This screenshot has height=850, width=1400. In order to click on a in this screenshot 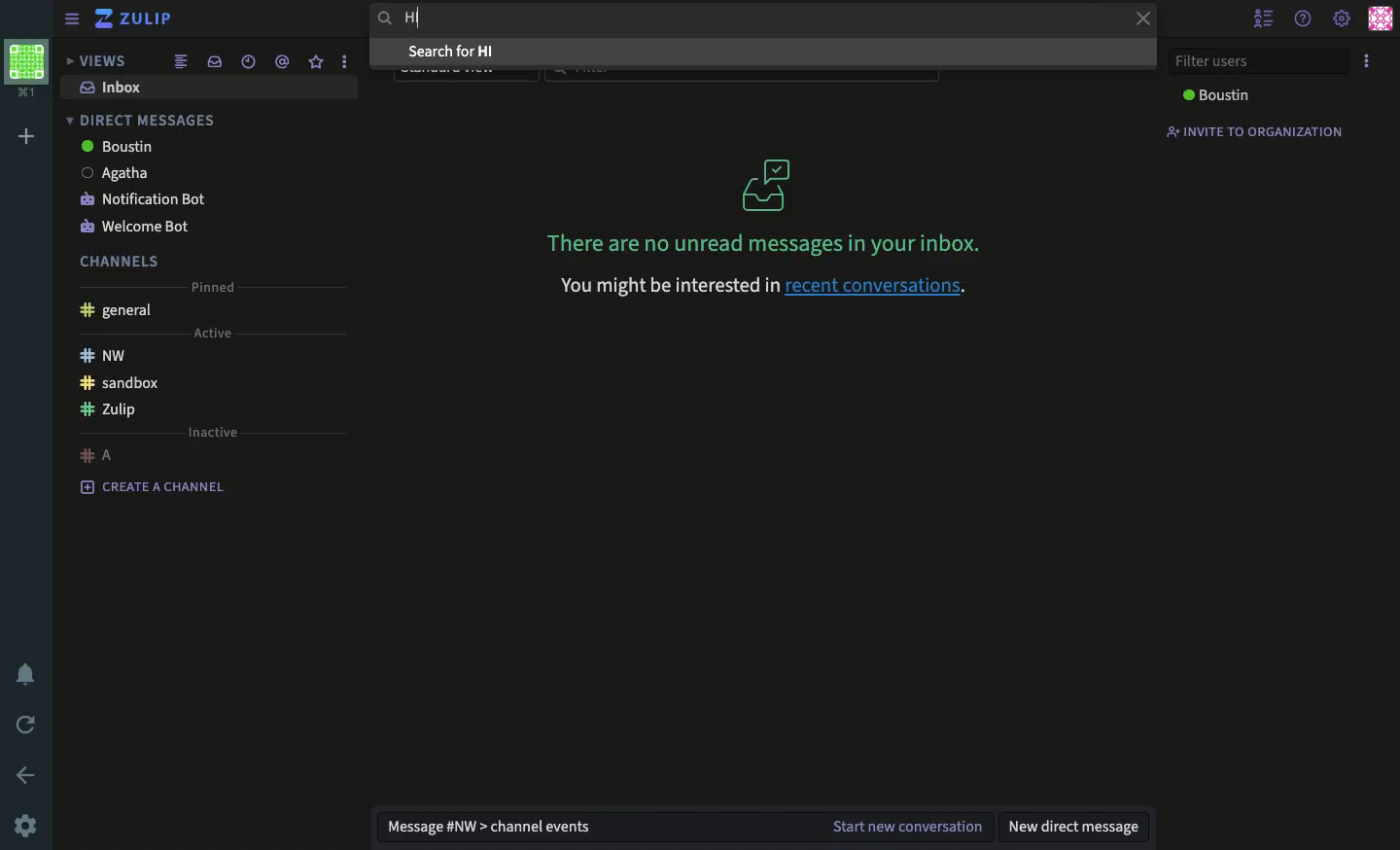, I will do `click(98, 456)`.